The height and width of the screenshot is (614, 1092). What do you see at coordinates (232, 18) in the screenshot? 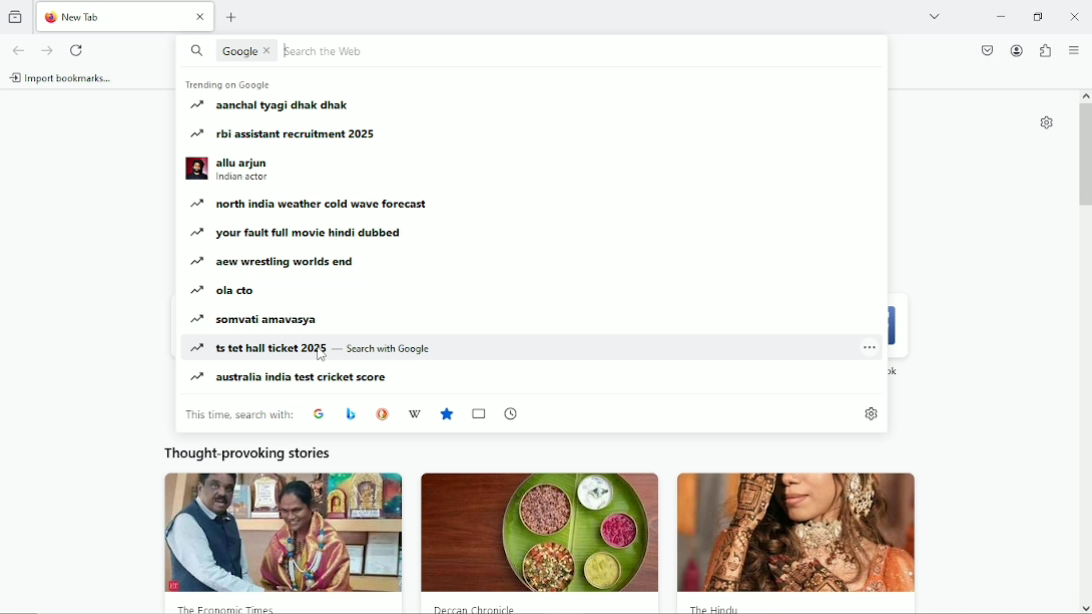
I see `add tab` at bounding box center [232, 18].